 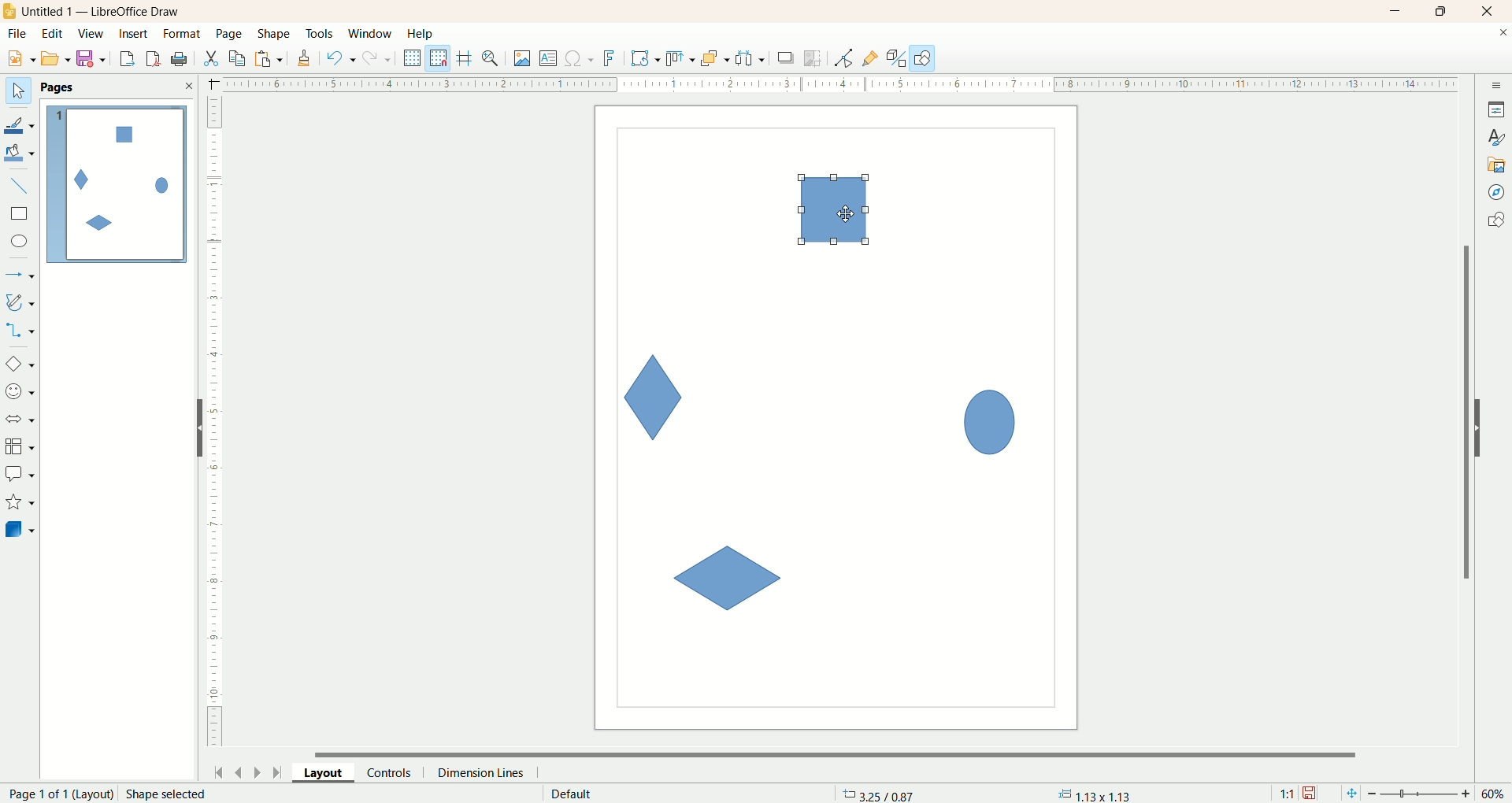 What do you see at coordinates (1491, 12) in the screenshot?
I see `close` at bounding box center [1491, 12].